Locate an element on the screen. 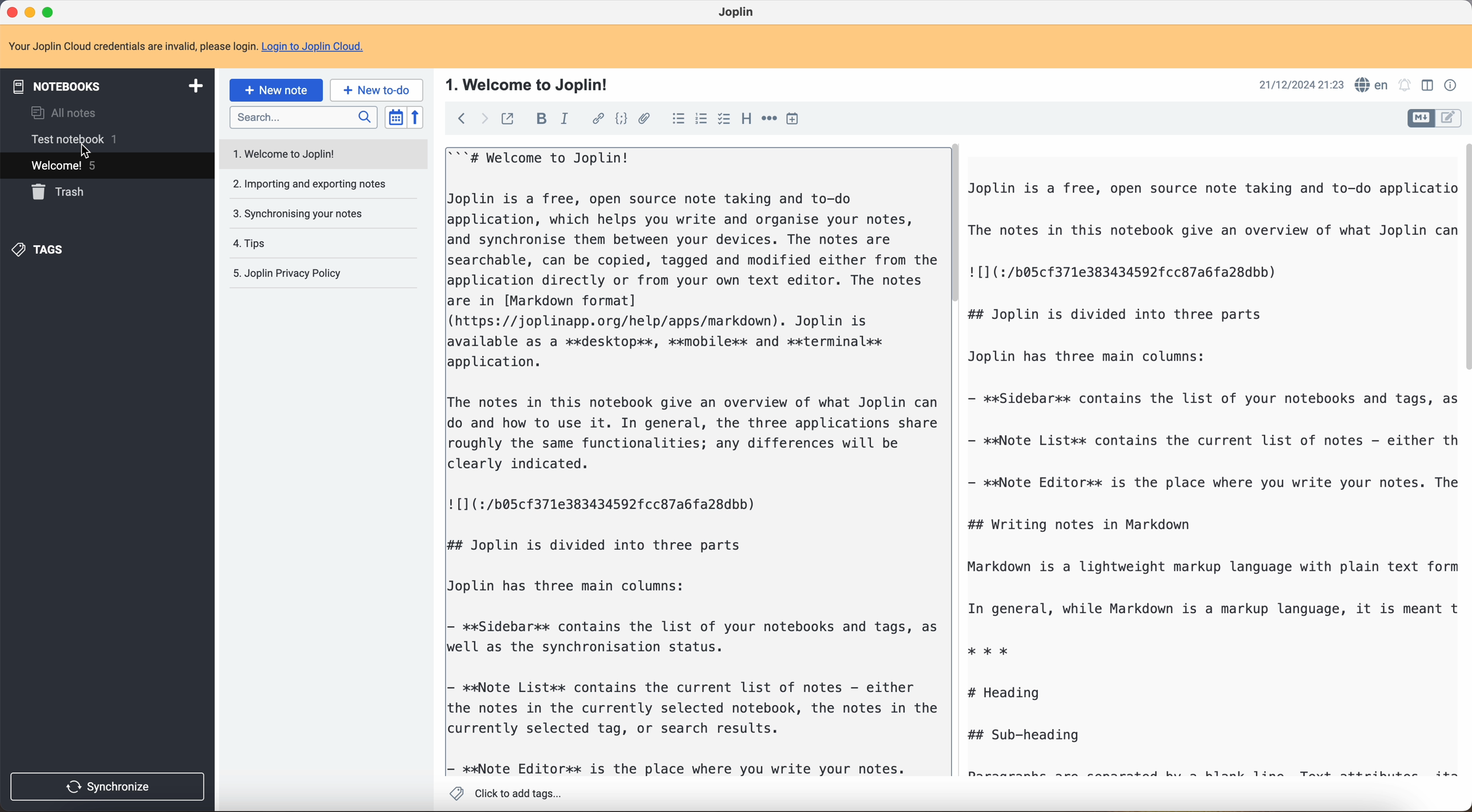 Image resolution: width=1472 pixels, height=812 pixels. note is located at coordinates (129, 46).